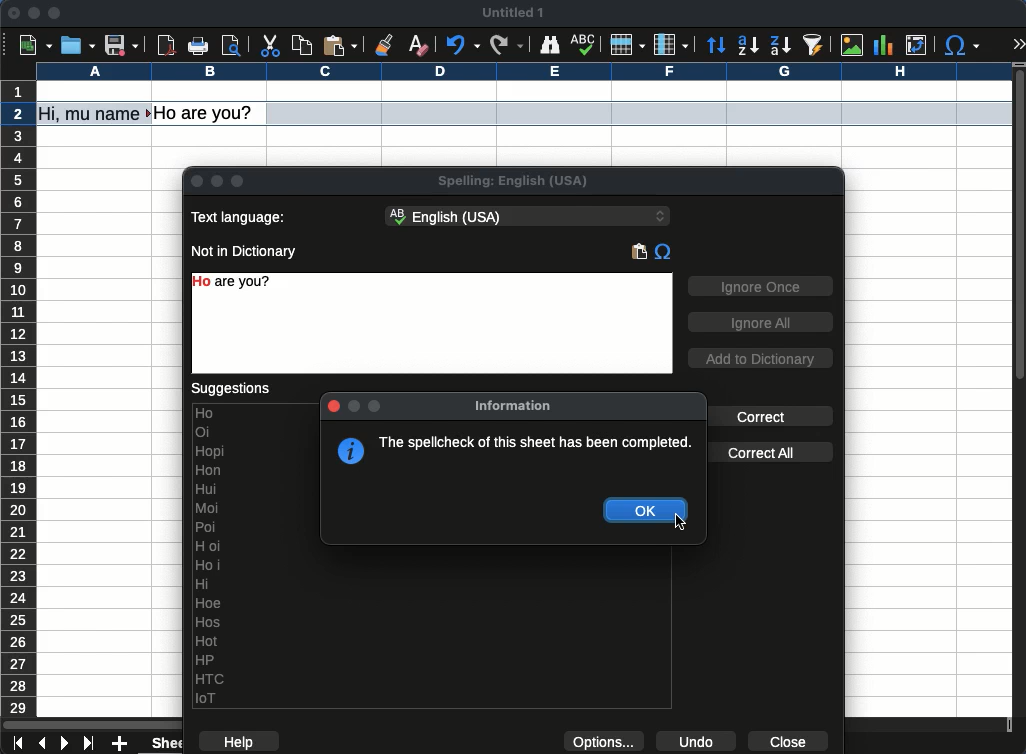  What do you see at coordinates (696, 741) in the screenshot?
I see `undo` at bounding box center [696, 741].